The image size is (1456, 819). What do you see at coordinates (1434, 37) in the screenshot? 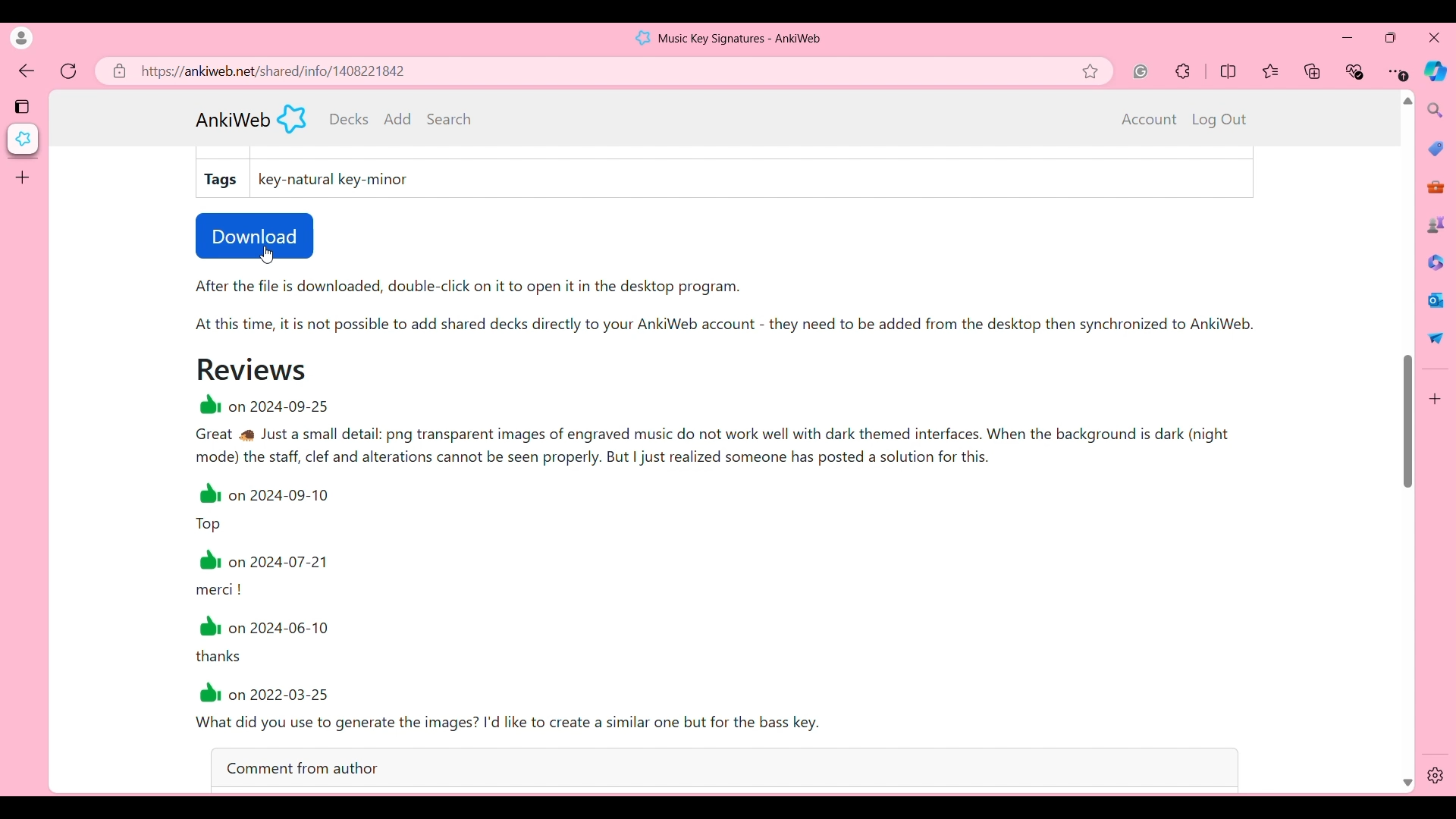
I see `Close browser` at bounding box center [1434, 37].